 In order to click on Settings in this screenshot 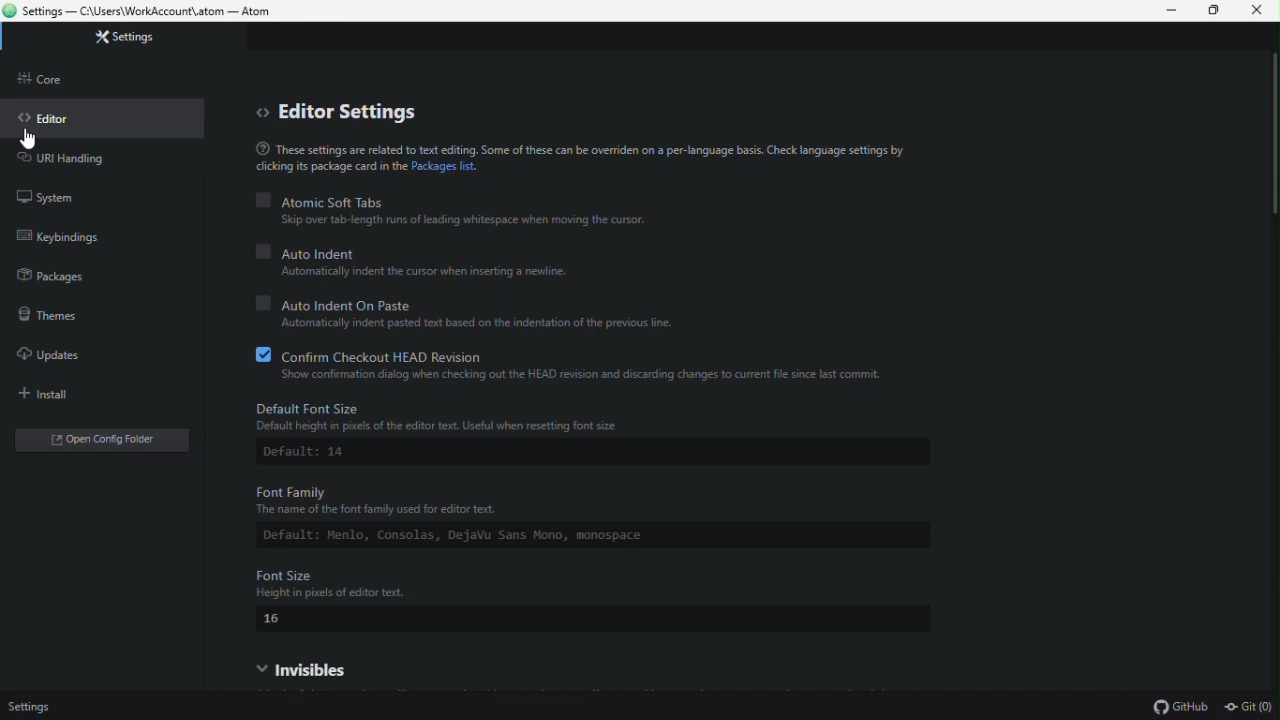, I will do `click(38, 706)`.